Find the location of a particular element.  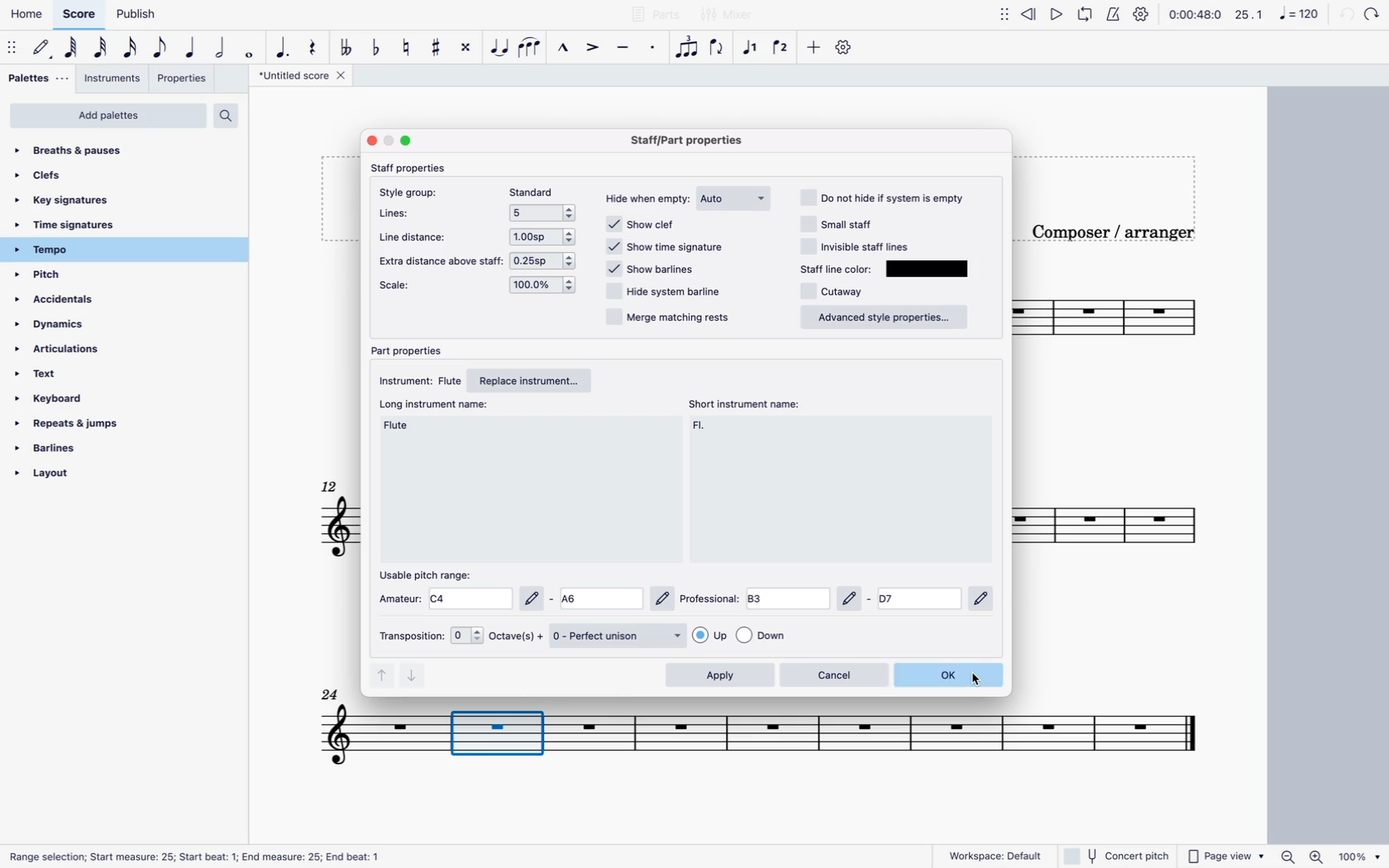

search is located at coordinates (231, 117).